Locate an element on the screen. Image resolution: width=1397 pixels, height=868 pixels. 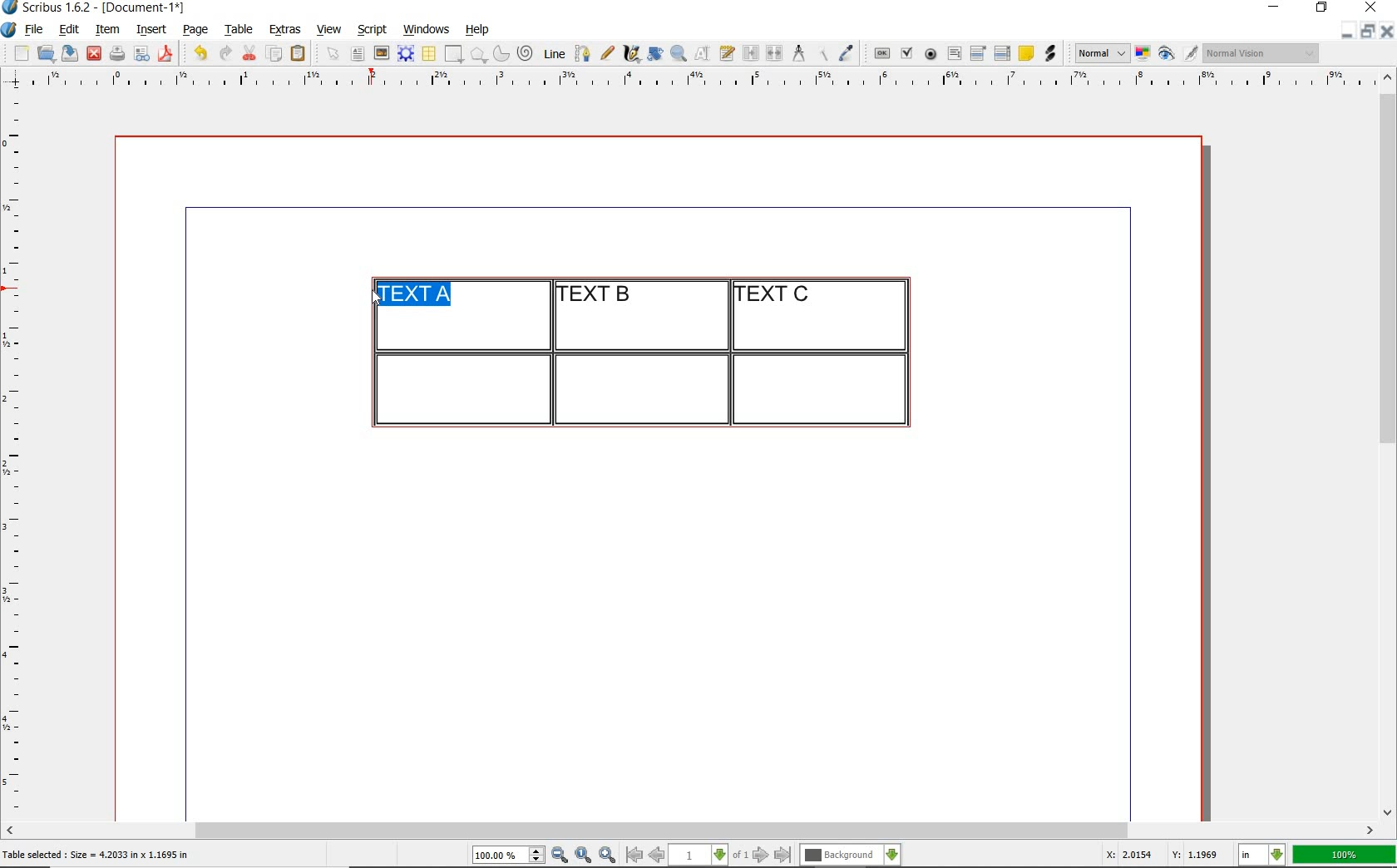
polygon is located at coordinates (478, 54).